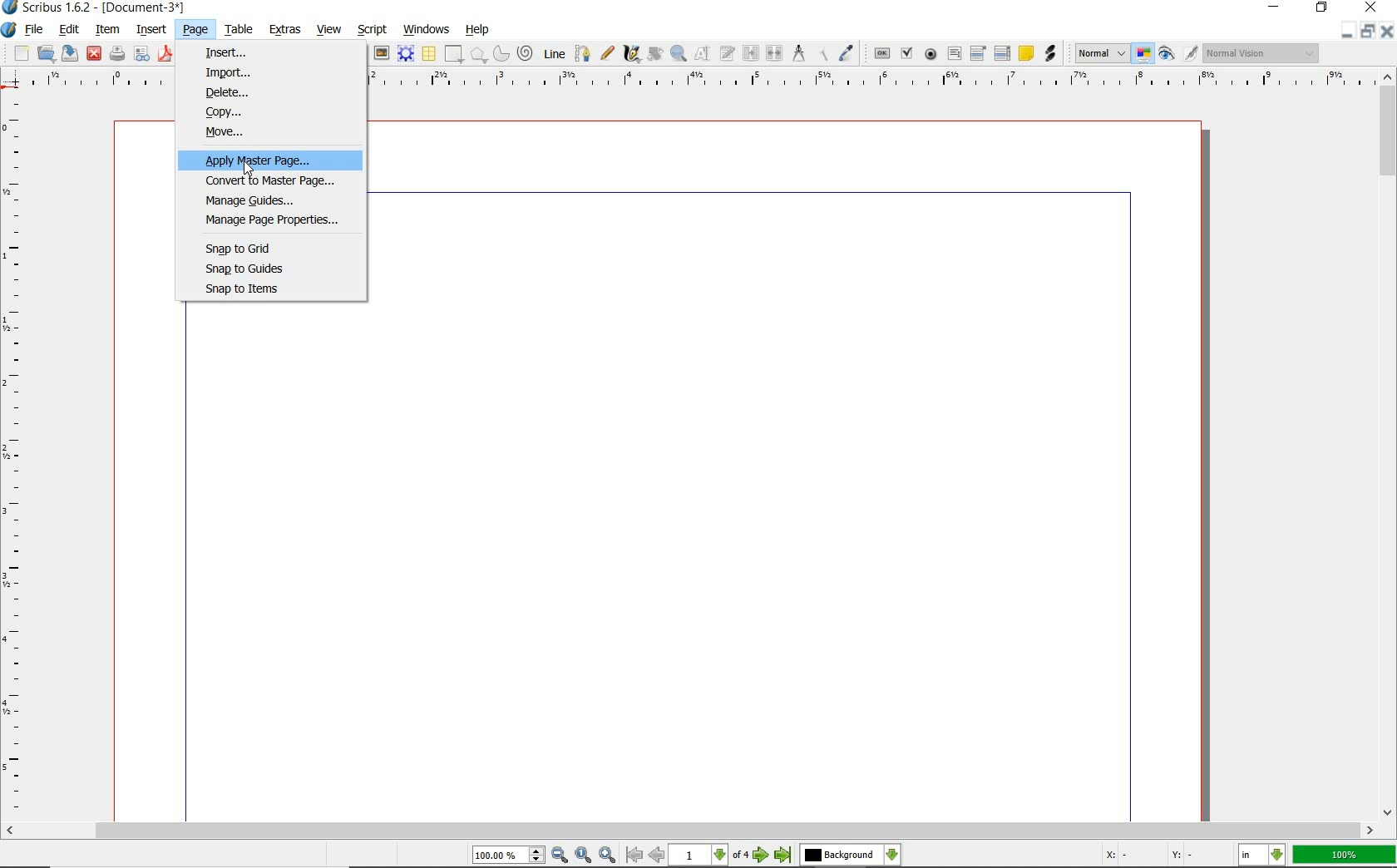  Describe the element at coordinates (274, 180) in the screenshot. I see `convert to Master Page` at that location.